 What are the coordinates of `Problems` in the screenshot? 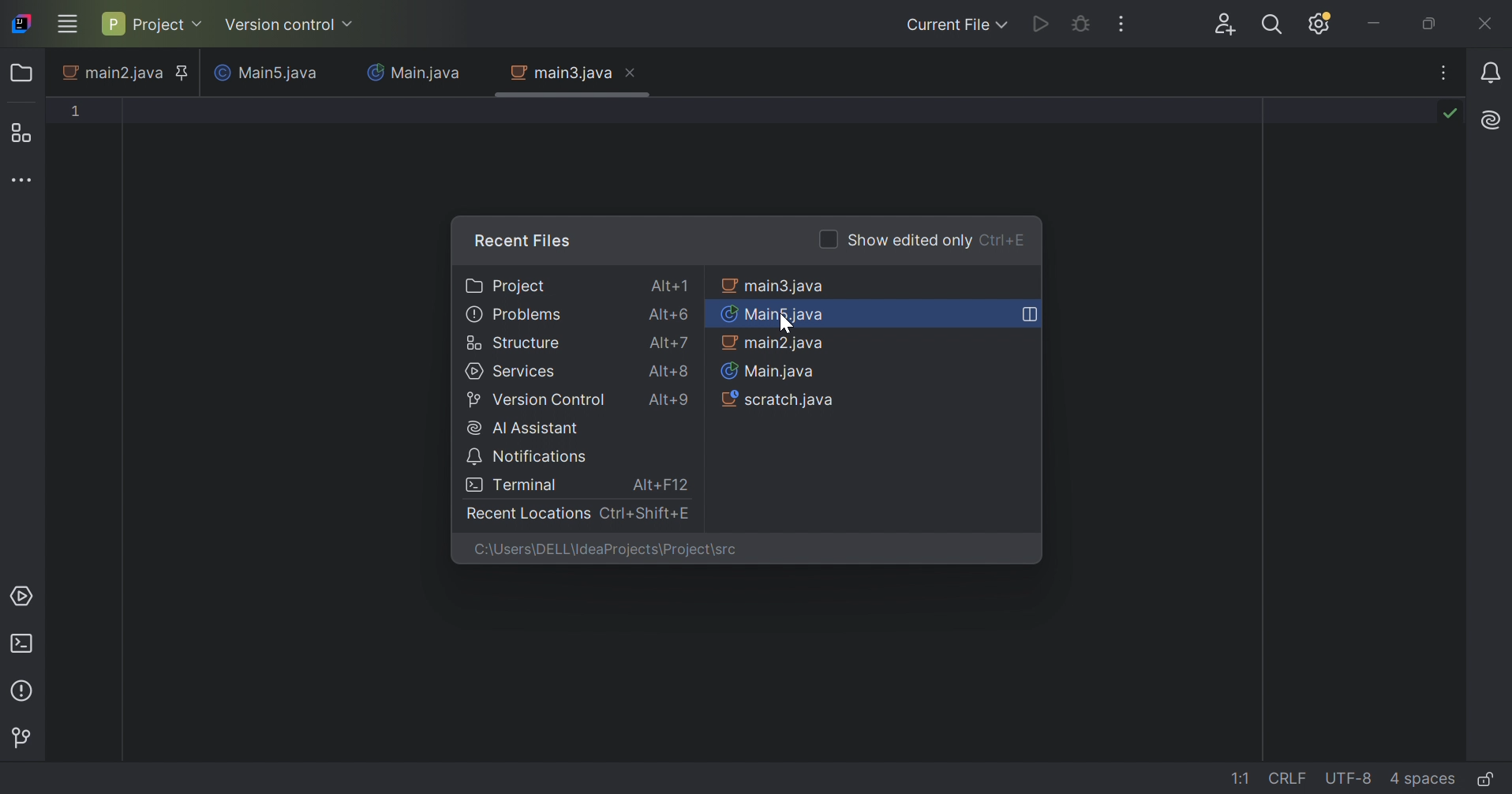 It's located at (22, 691).